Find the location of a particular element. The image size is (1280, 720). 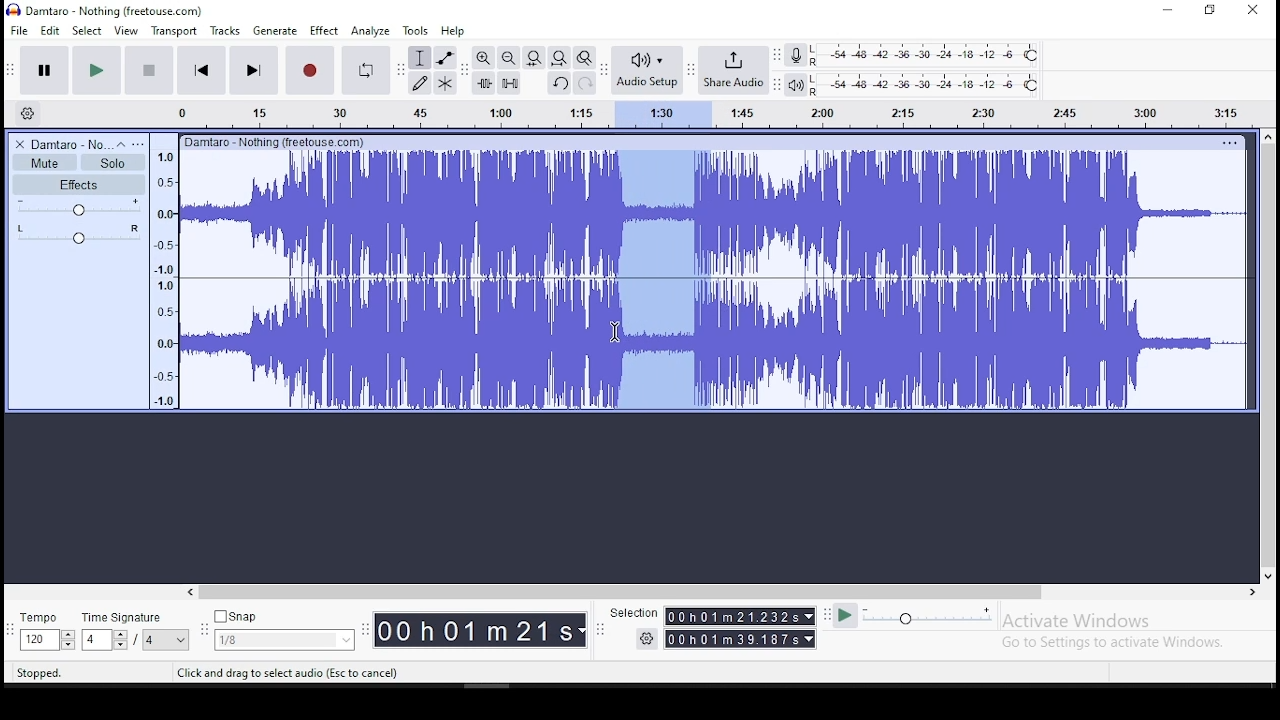

share audio is located at coordinates (735, 72).